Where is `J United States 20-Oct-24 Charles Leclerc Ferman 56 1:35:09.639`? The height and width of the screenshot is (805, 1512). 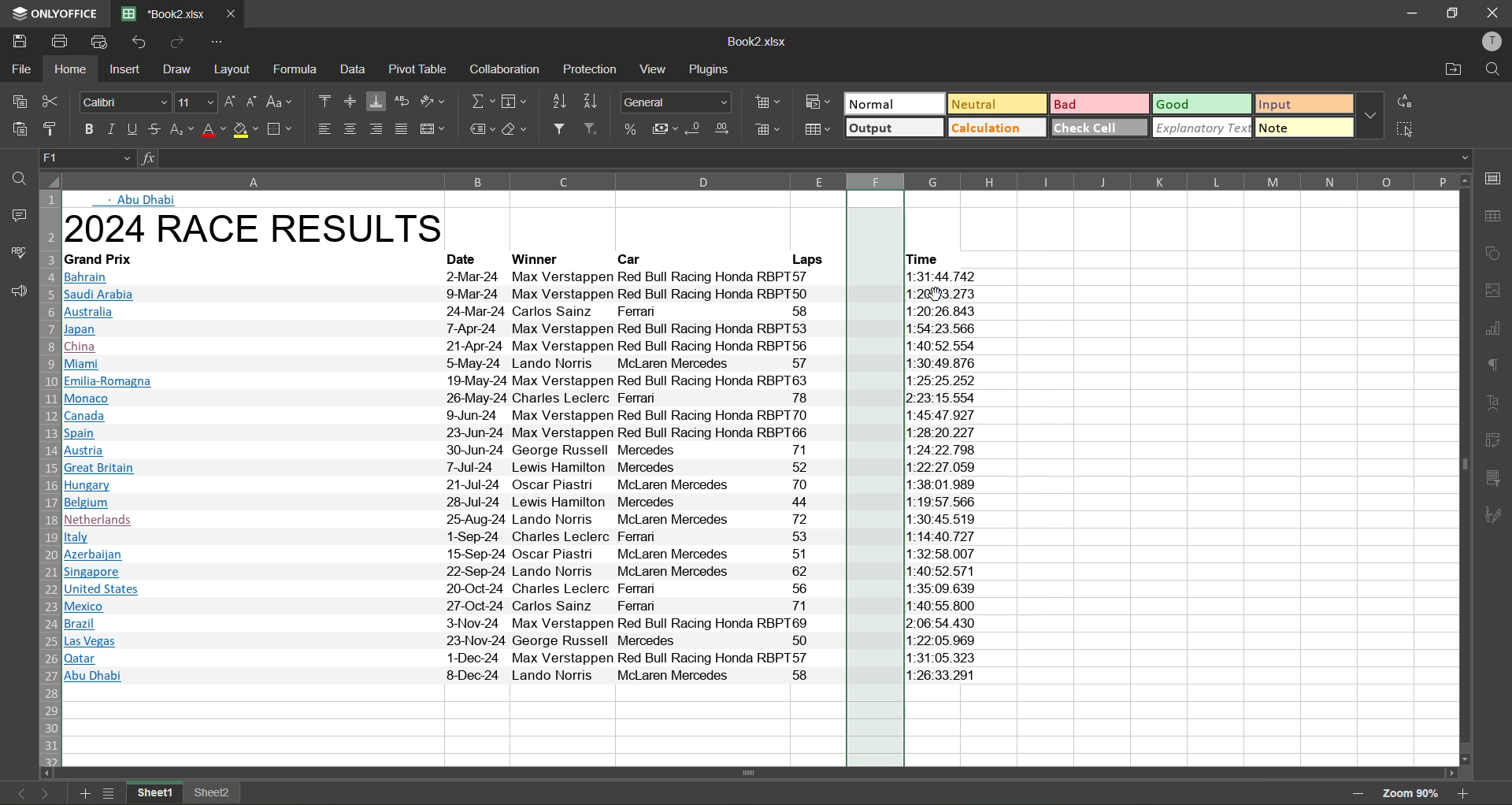
J United States 20-Oct-24 Charles Leclerc Ferman 56 1:35:09.639 is located at coordinates (440, 588).